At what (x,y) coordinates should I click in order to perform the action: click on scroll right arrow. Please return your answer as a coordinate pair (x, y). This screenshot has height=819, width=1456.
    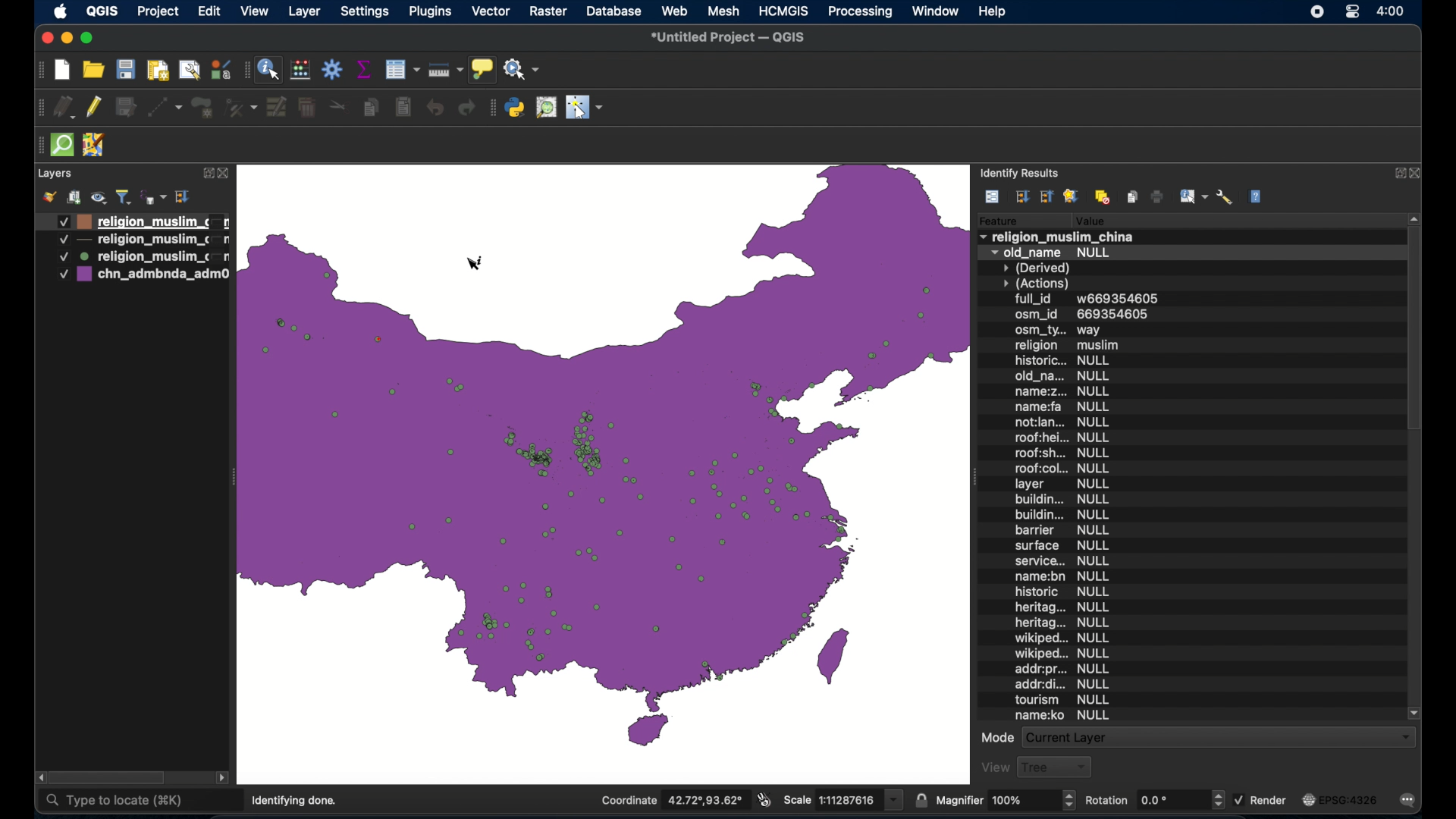
    Looking at the image, I should click on (224, 780).